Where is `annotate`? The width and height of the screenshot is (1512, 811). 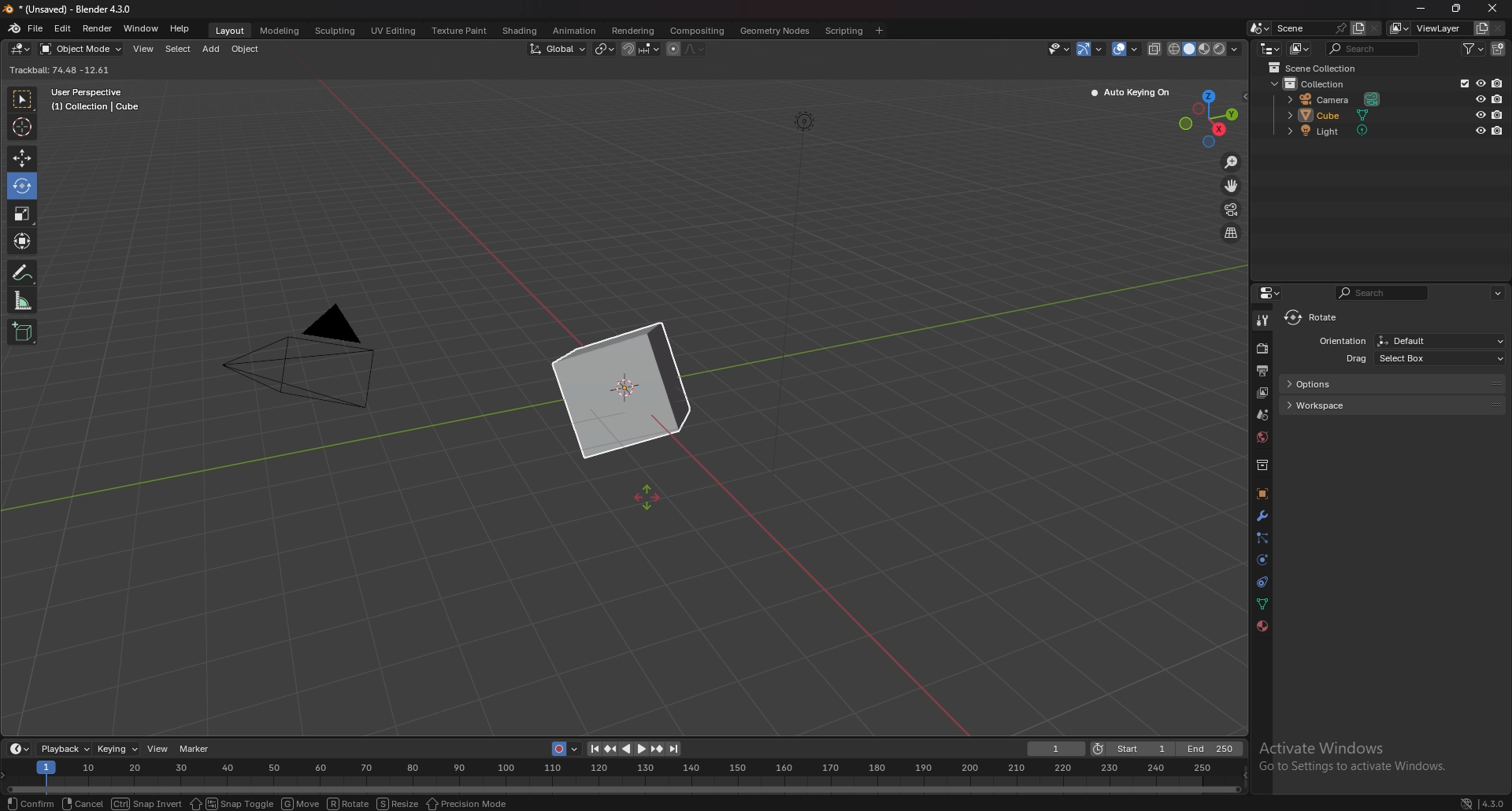 annotate is located at coordinates (24, 272).